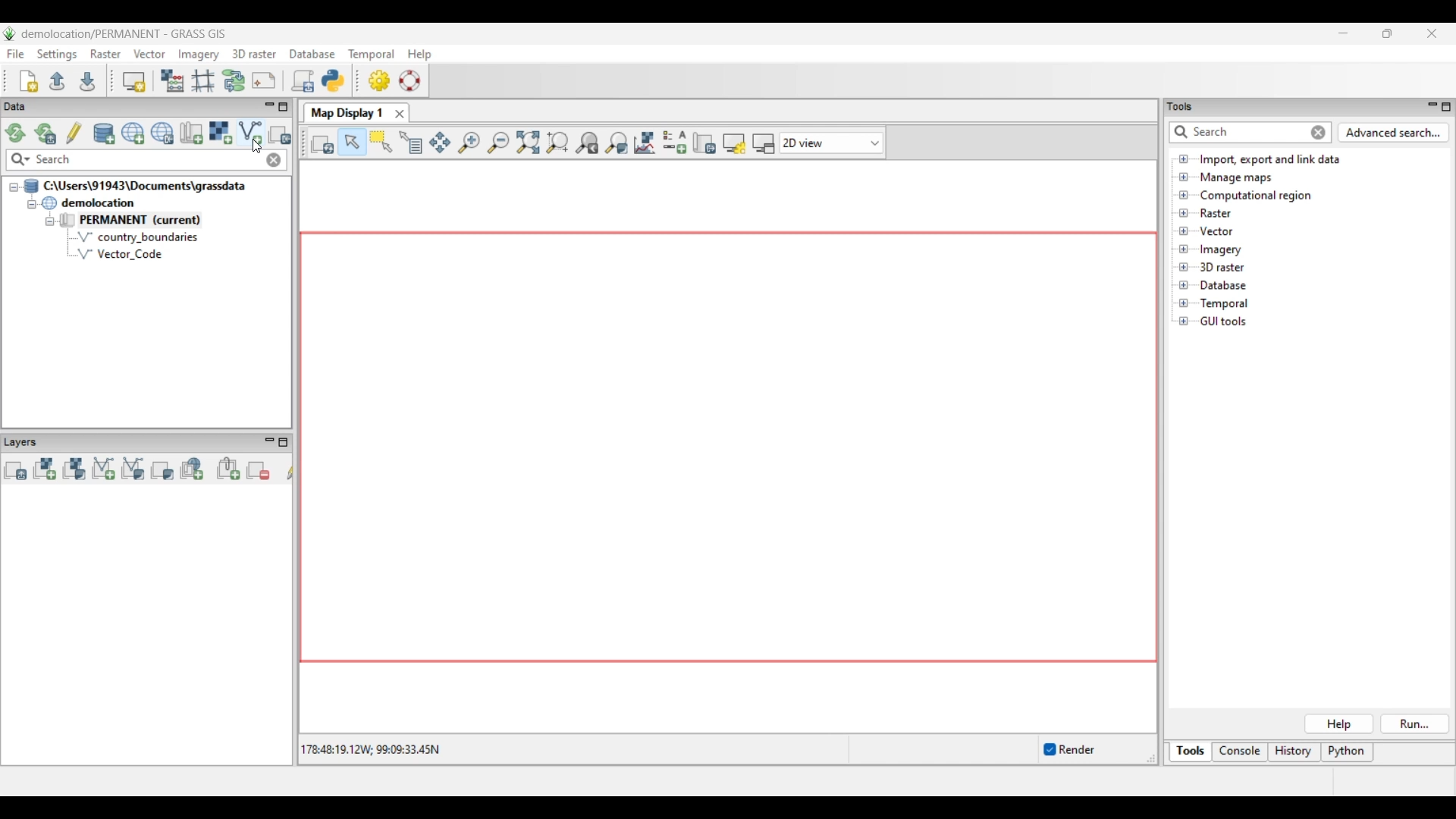  I want to click on GRASS manual, so click(409, 80).